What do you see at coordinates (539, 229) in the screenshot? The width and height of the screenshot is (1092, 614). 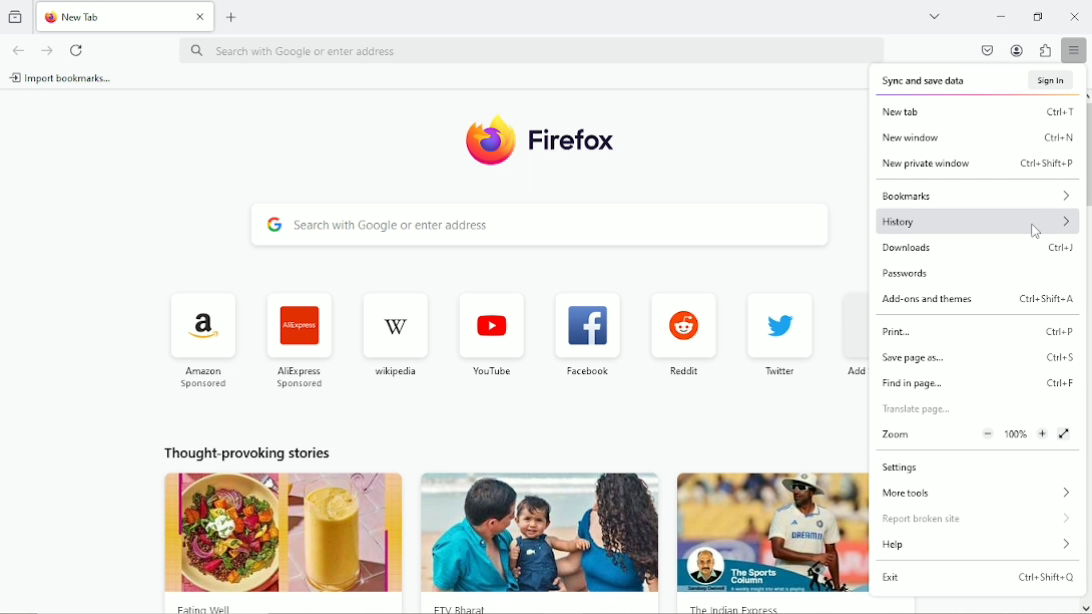 I see `search with Google or enter address` at bounding box center [539, 229].